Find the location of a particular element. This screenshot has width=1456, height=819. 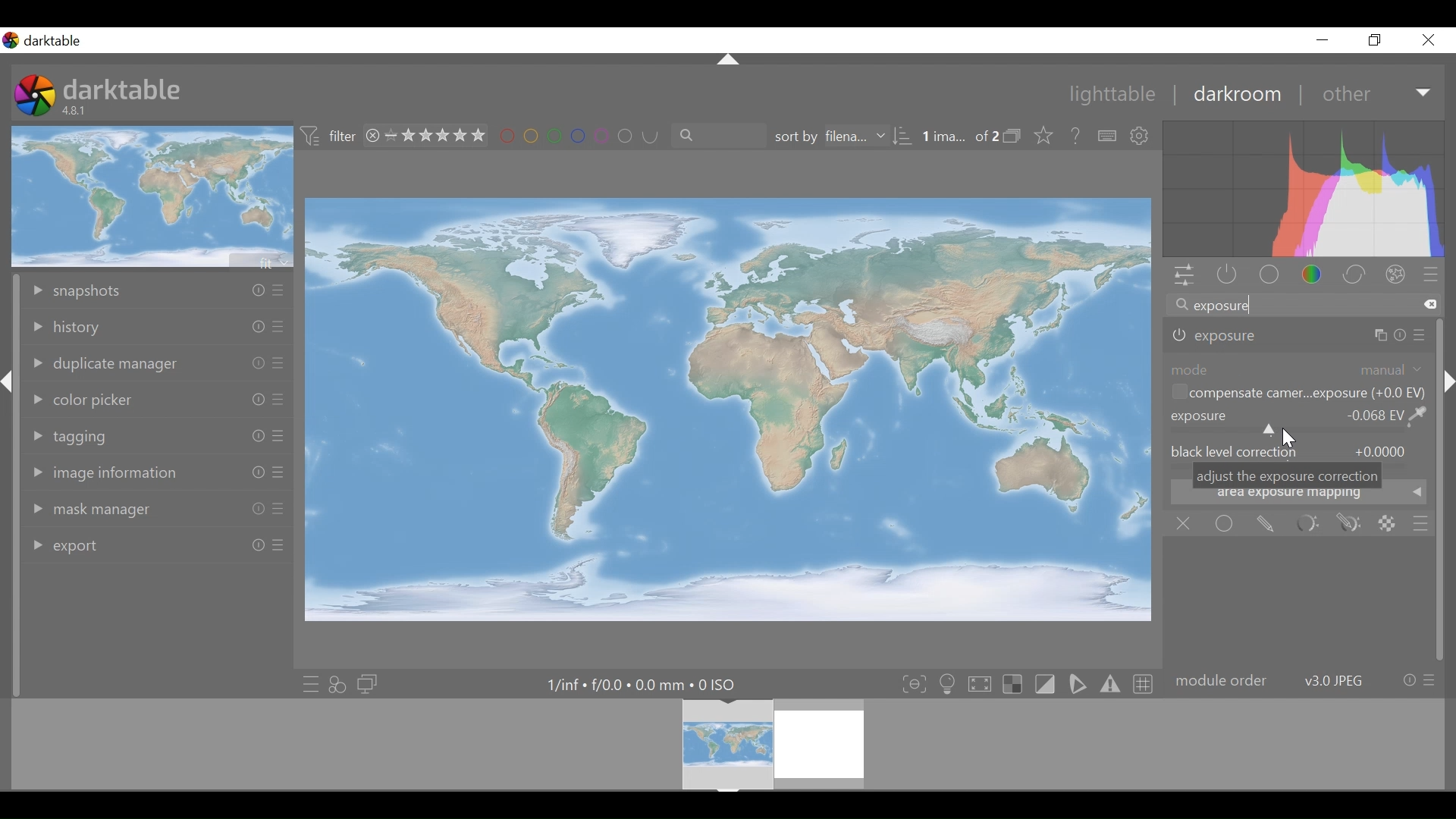

Filter by image color label is located at coordinates (573, 136).